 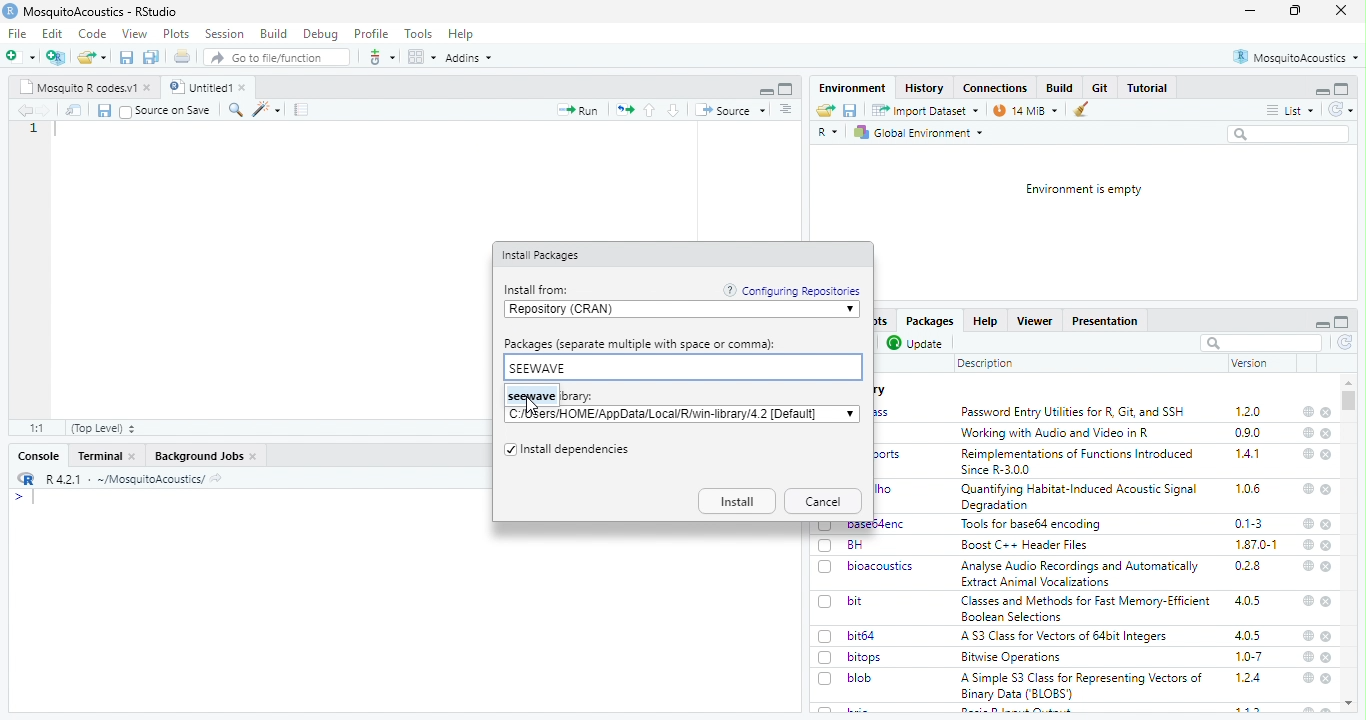 I want to click on R, so click(x=828, y=133).